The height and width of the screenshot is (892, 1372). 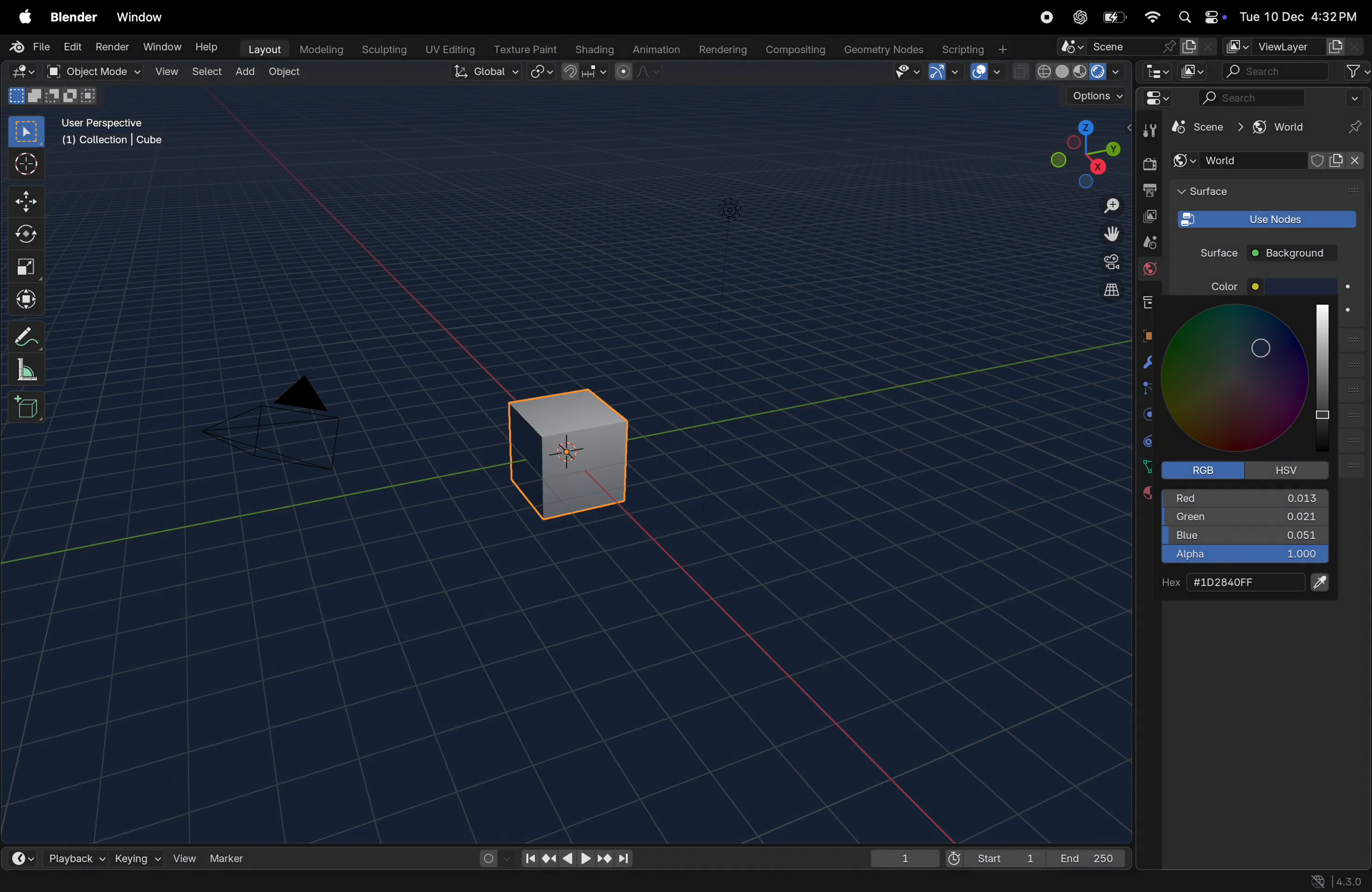 What do you see at coordinates (1265, 218) in the screenshot?
I see `- Use Nodes` at bounding box center [1265, 218].